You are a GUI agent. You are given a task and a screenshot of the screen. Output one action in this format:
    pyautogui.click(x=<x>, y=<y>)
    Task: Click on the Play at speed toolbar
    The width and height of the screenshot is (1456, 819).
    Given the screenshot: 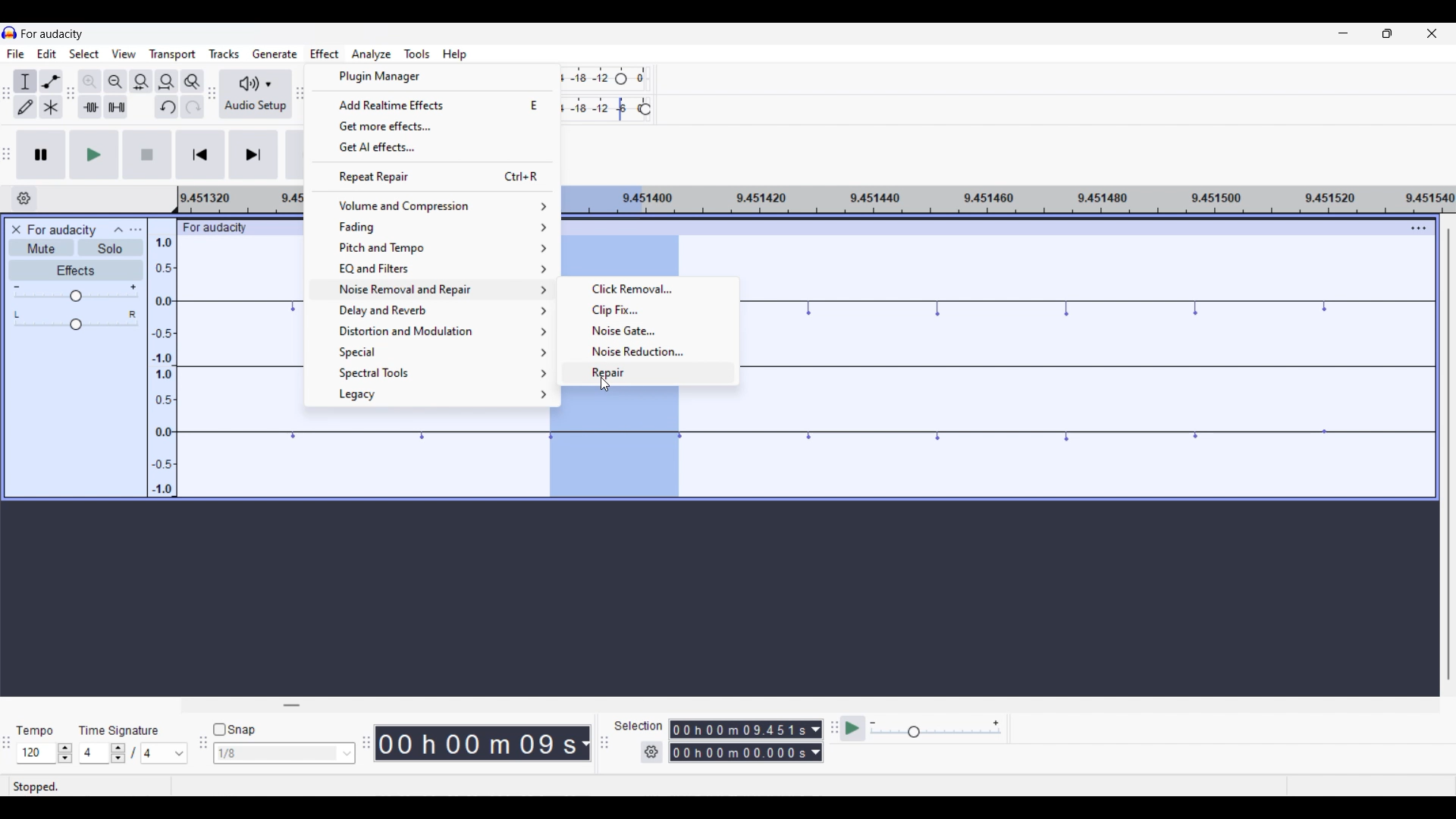 What is the action you would take?
    pyautogui.click(x=833, y=729)
    